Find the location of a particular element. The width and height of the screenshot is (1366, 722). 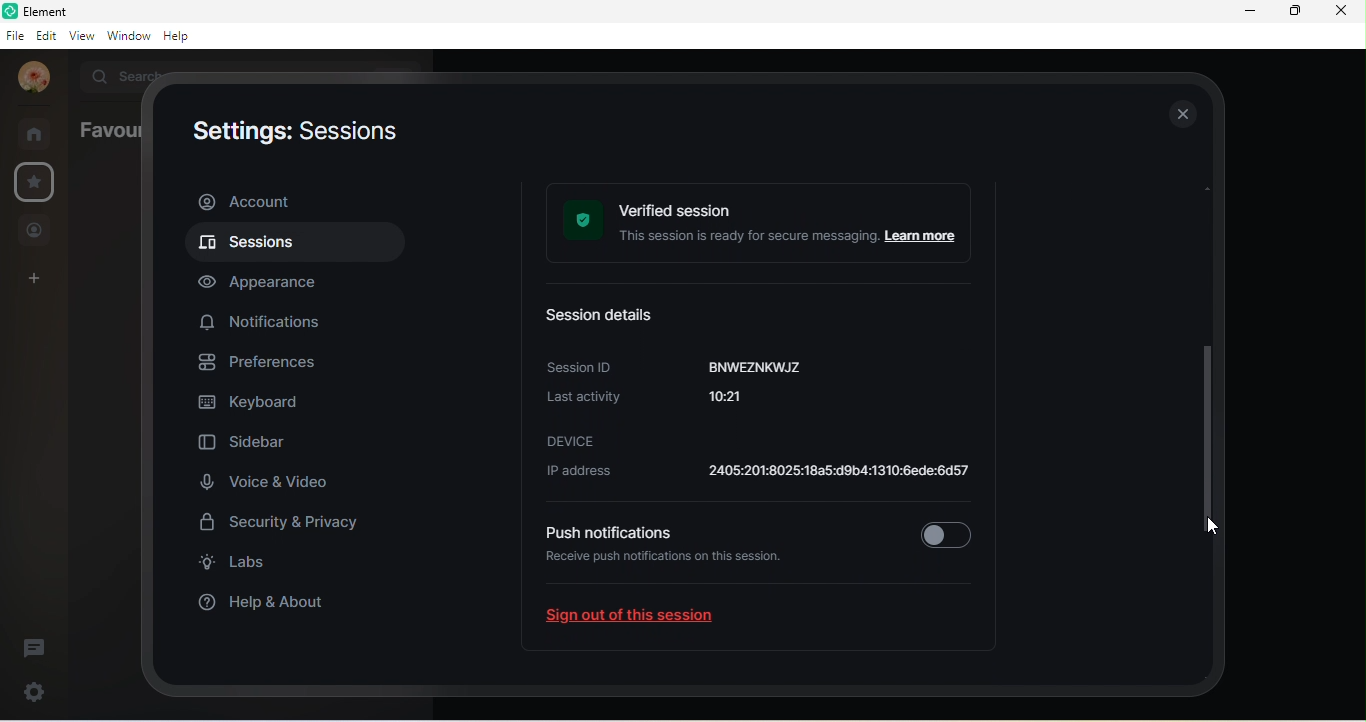

sign out of this session is located at coordinates (646, 620).